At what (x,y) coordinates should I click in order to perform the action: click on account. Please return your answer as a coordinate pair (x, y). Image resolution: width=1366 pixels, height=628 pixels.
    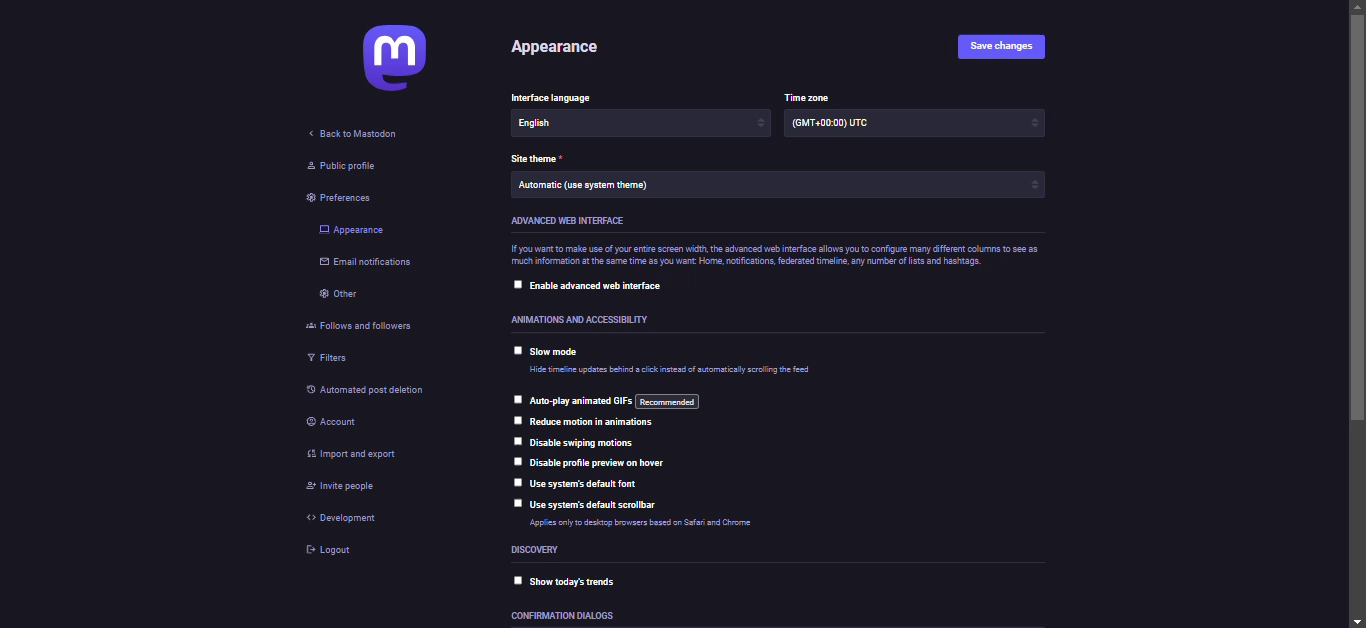
    Looking at the image, I should click on (339, 421).